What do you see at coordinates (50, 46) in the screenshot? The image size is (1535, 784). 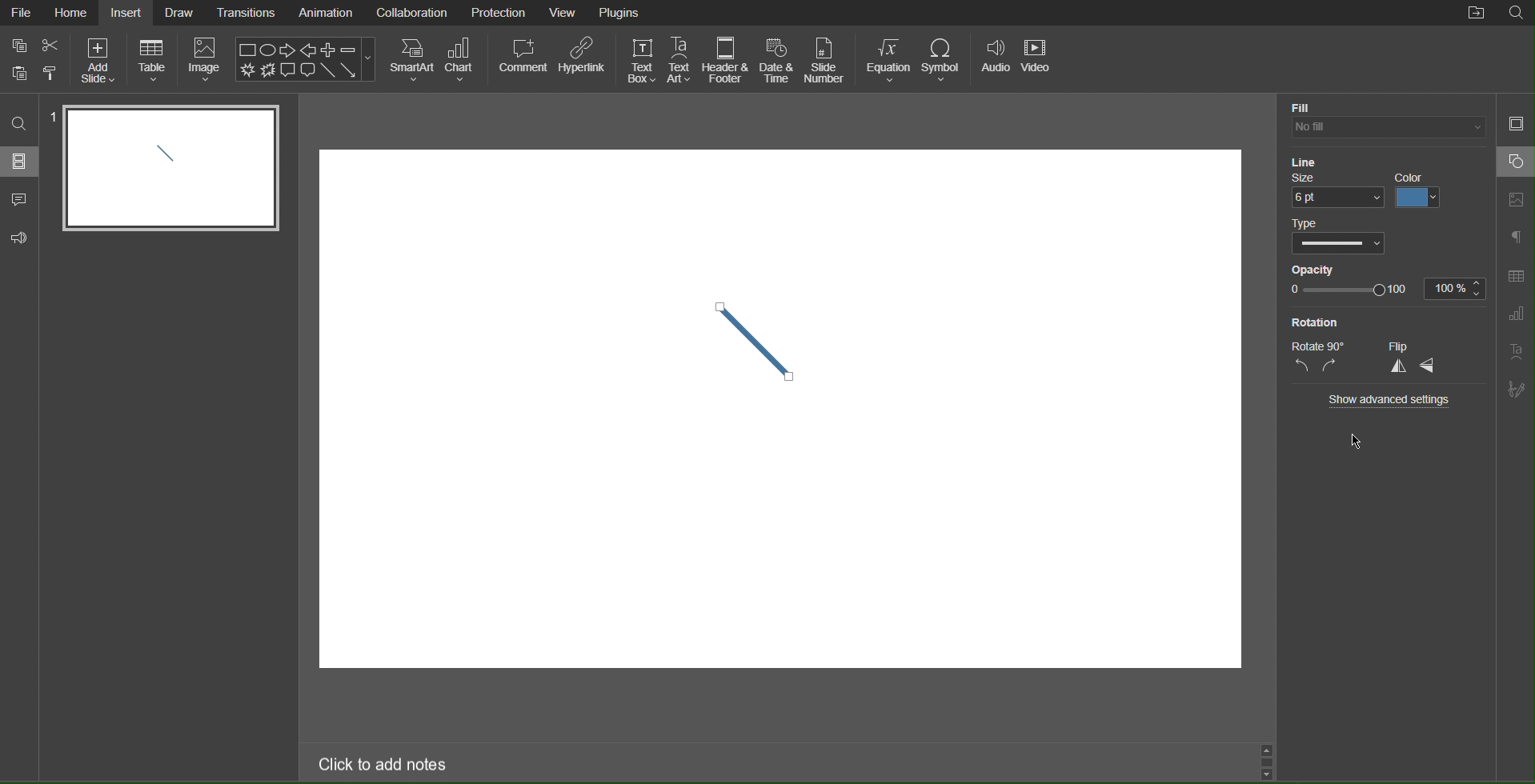 I see `Cut` at bounding box center [50, 46].